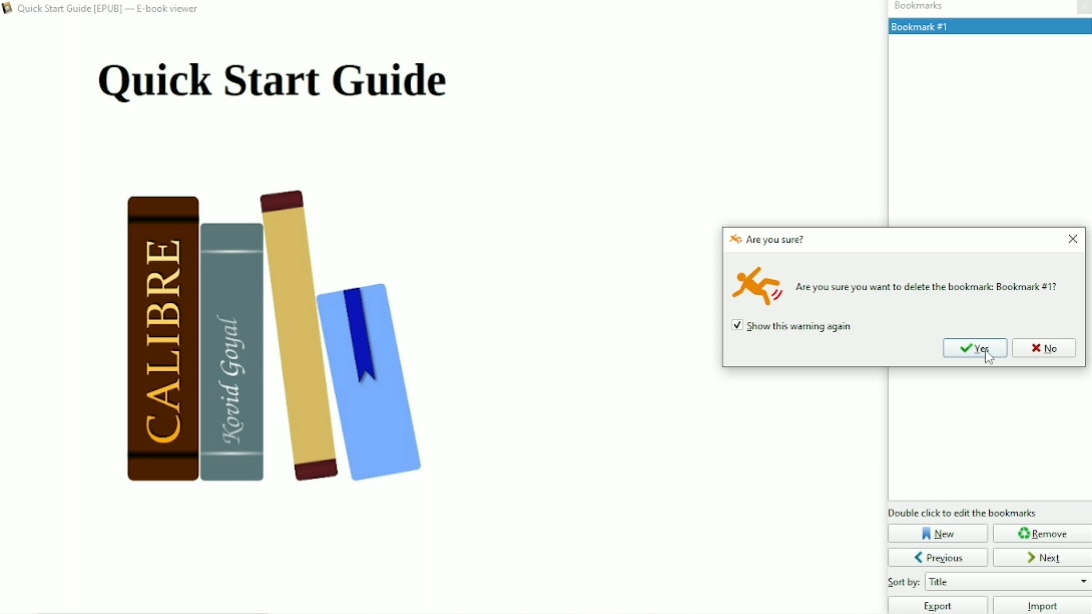  What do you see at coordinates (938, 557) in the screenshot?
I see `Previous` at bounding box center [938, 557].